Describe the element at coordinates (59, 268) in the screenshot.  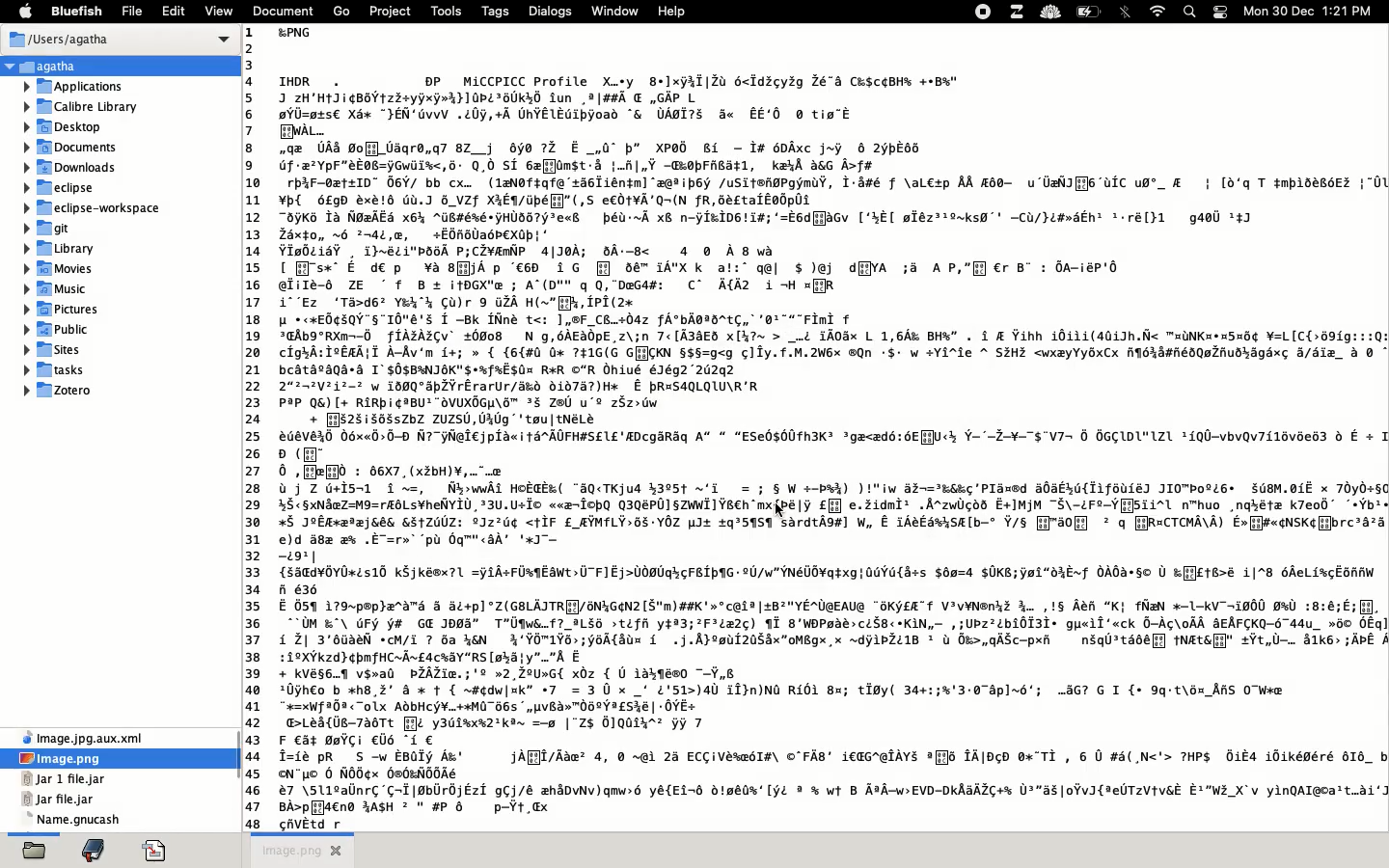
I see `movies` at that location.